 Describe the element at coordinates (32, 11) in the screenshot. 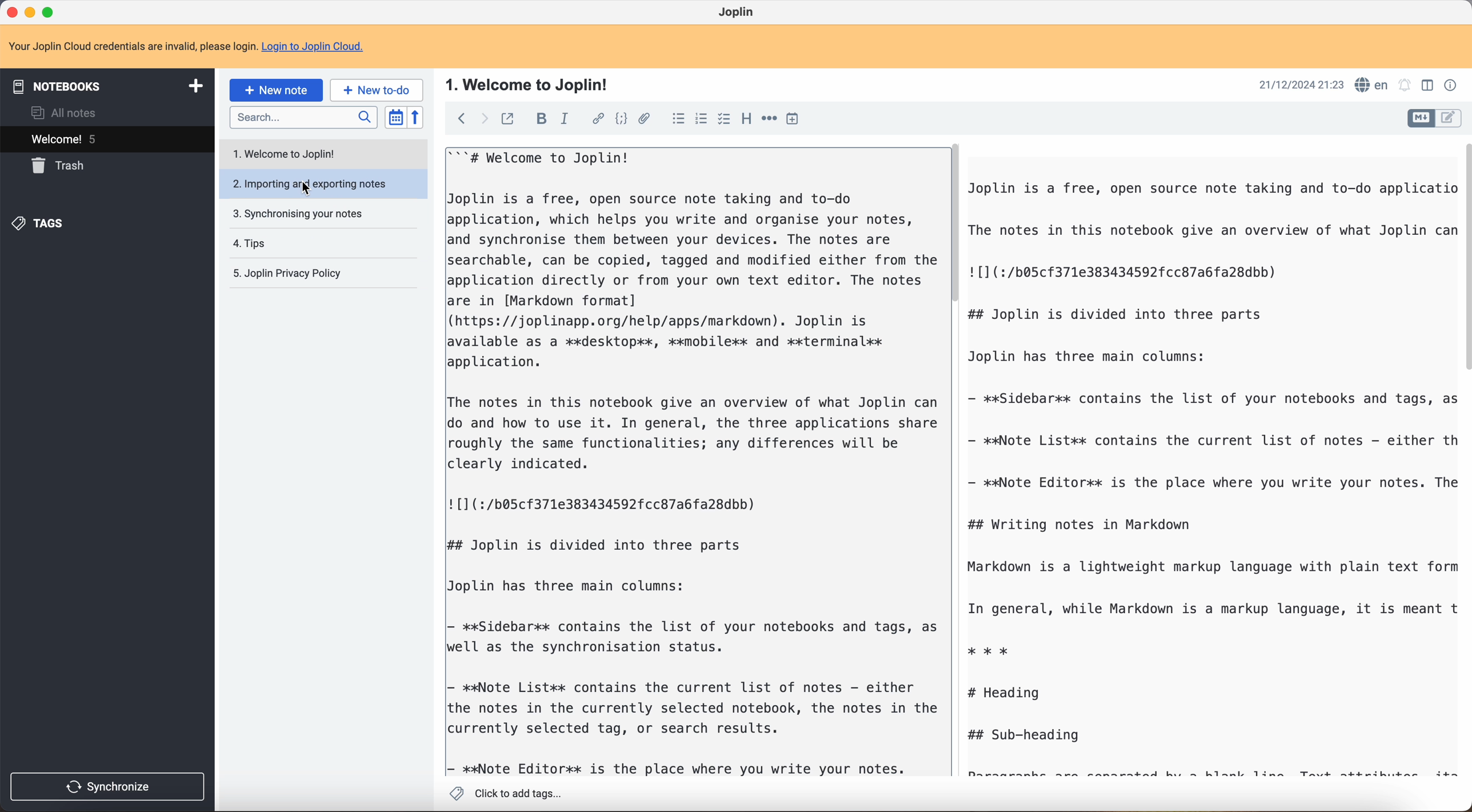

I see `minimize` at that location.